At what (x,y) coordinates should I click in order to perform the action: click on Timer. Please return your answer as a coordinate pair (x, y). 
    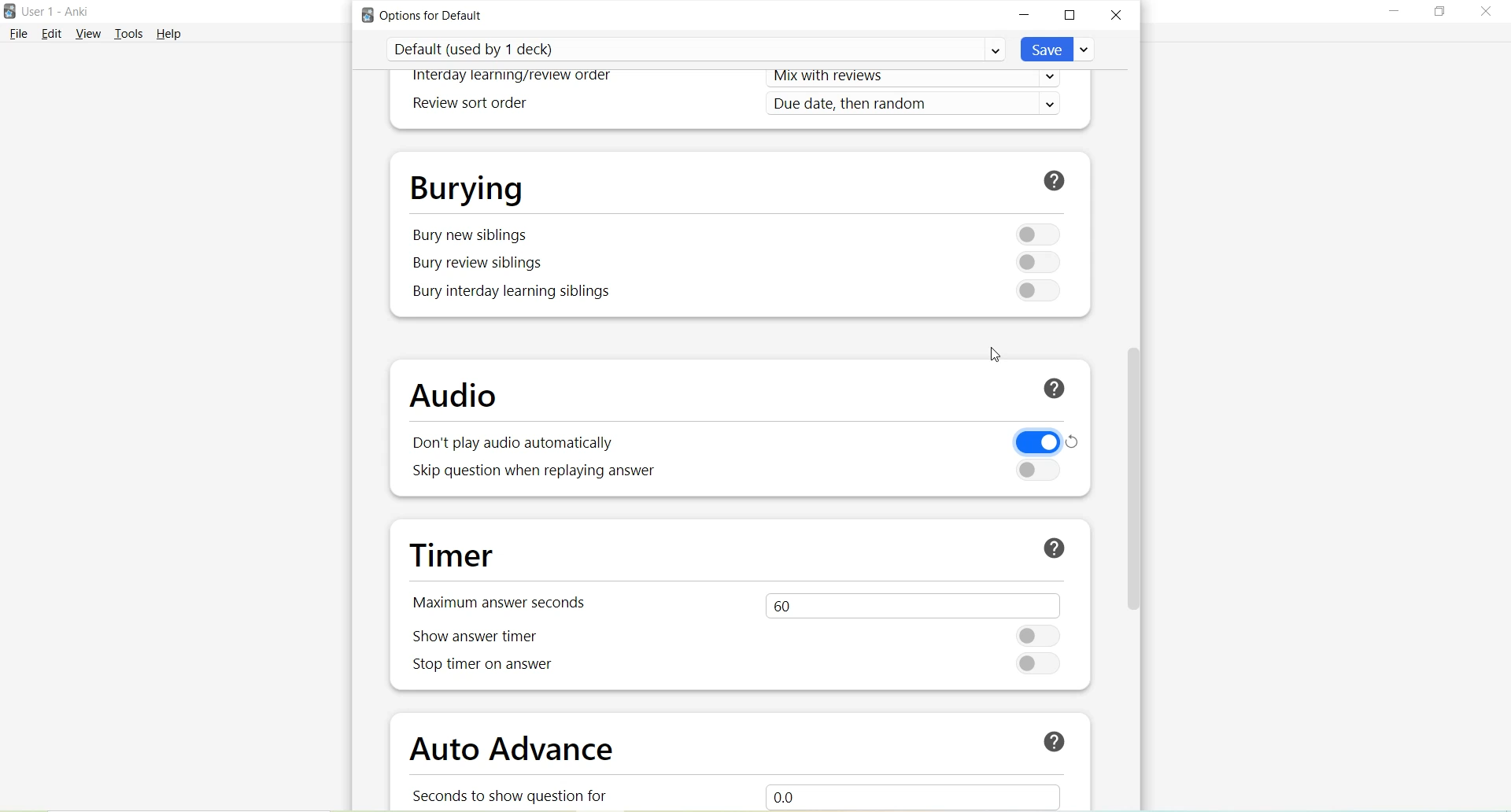
    Looking at the image, I should click on (458, 556).